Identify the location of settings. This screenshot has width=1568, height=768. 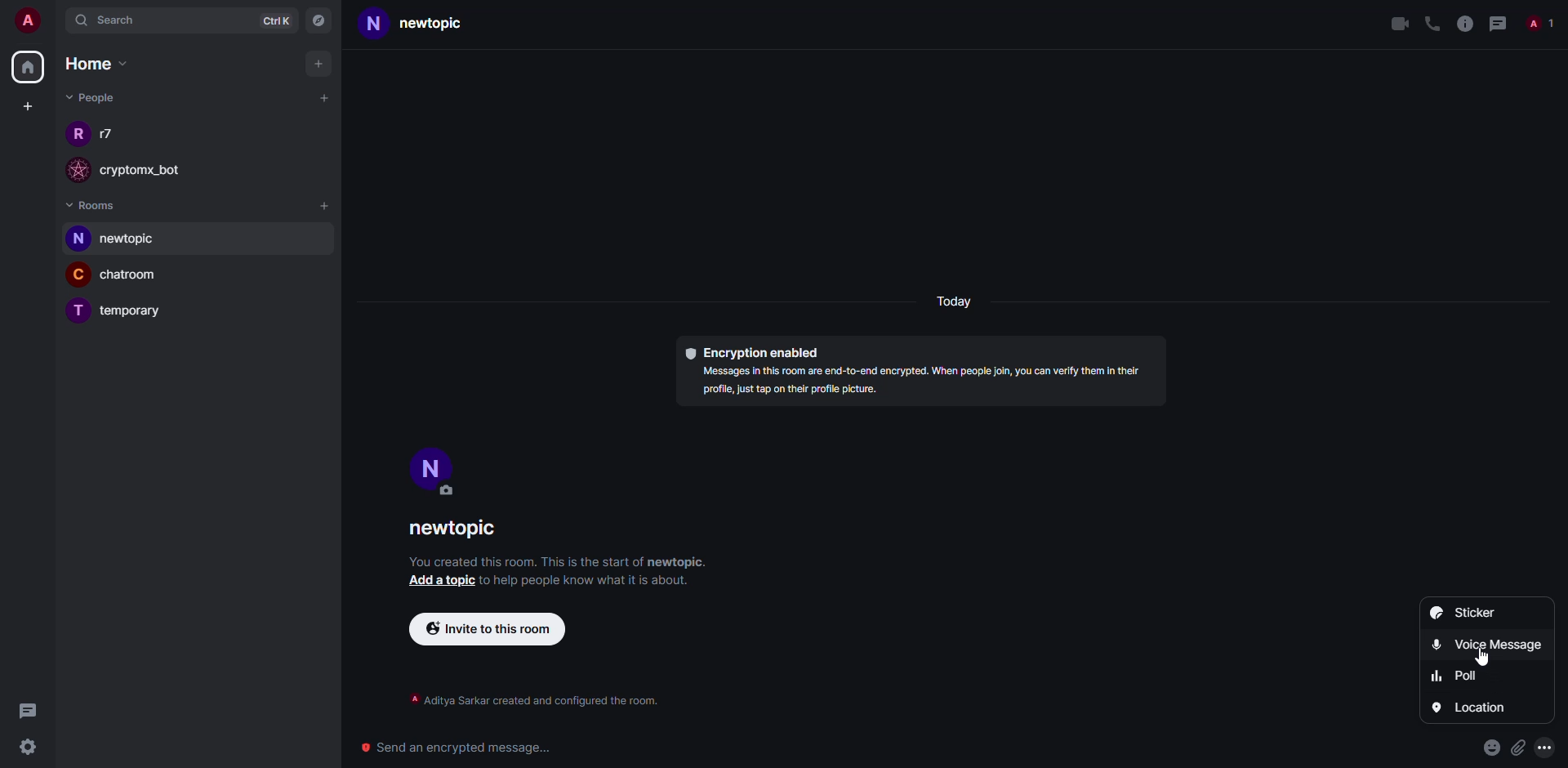
(32, 748).